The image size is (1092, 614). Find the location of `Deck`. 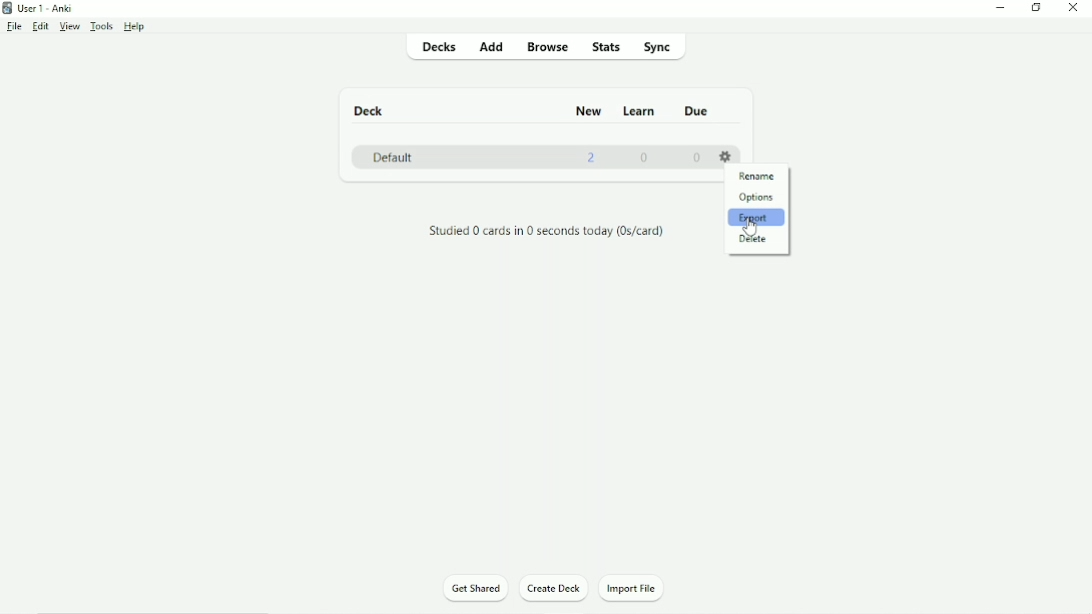

Deck is located at coordinates (370, 111).